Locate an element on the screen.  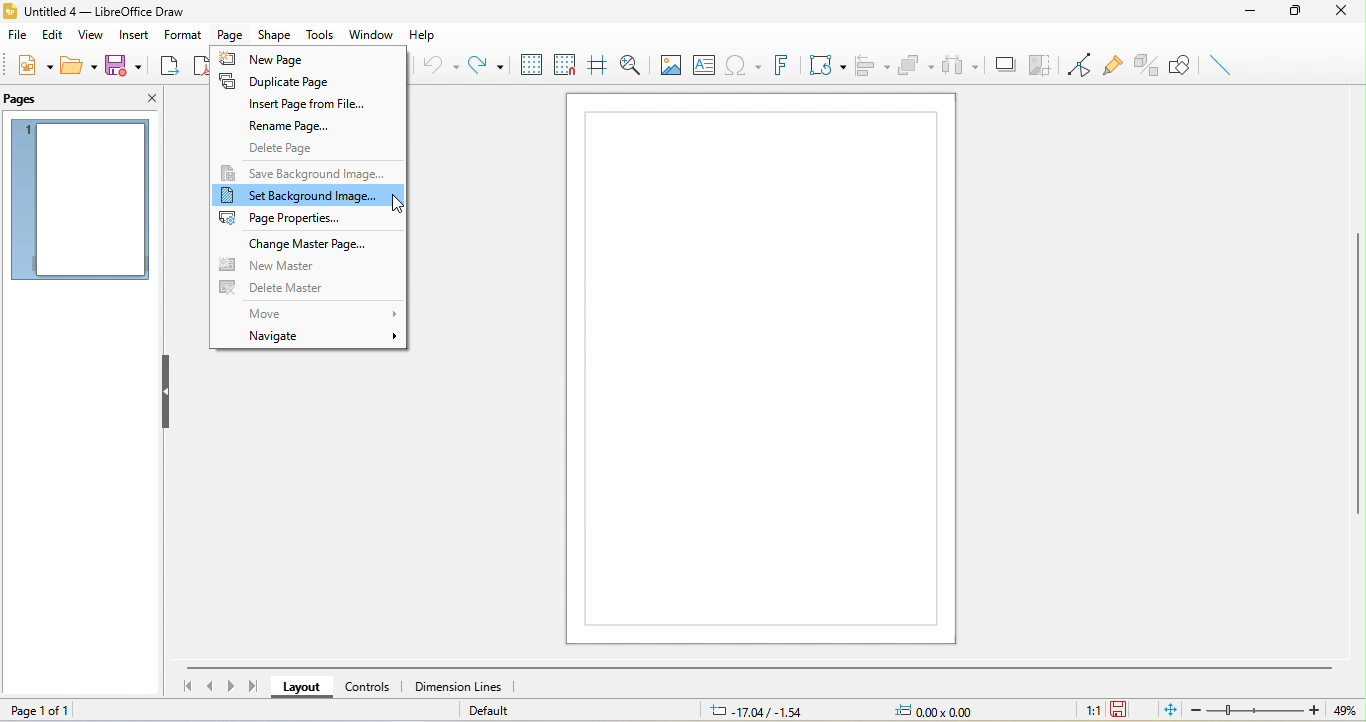
dimension lines is located at coordinates (462, 688).